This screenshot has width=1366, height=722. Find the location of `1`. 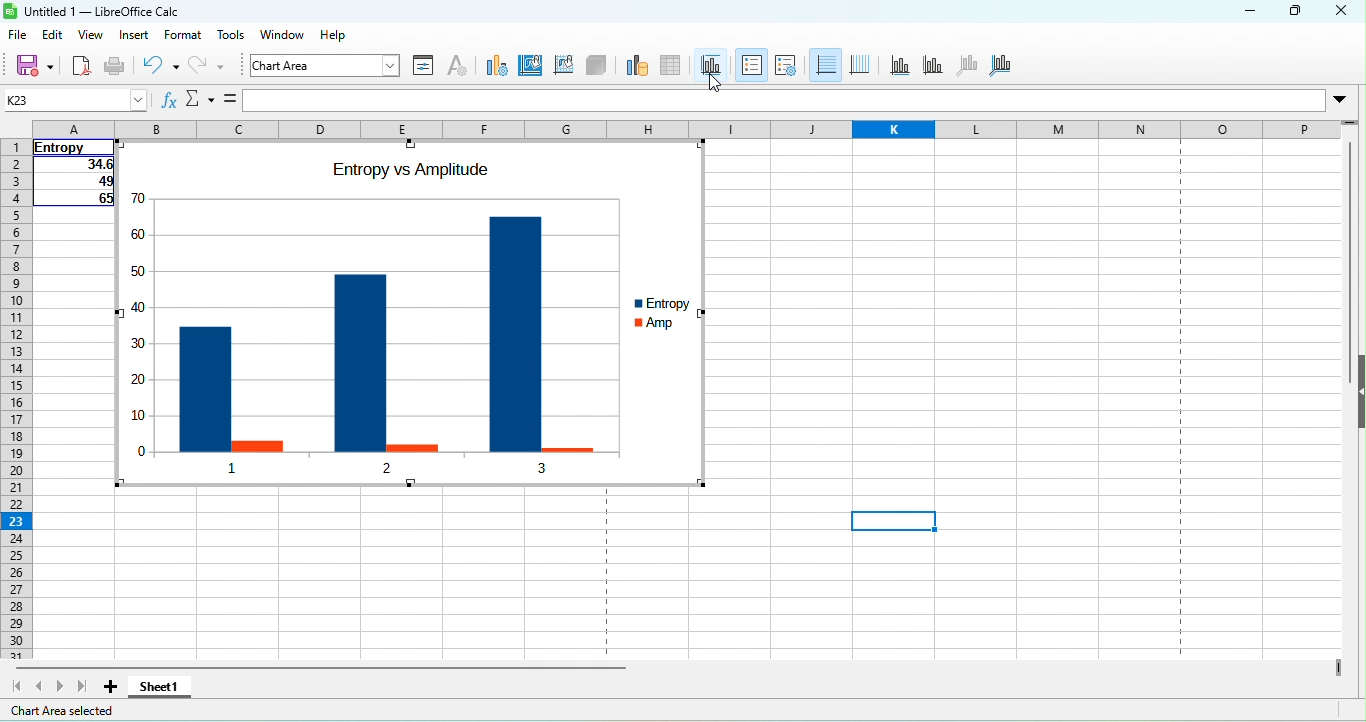

1 is located at coordinates (234, 466).